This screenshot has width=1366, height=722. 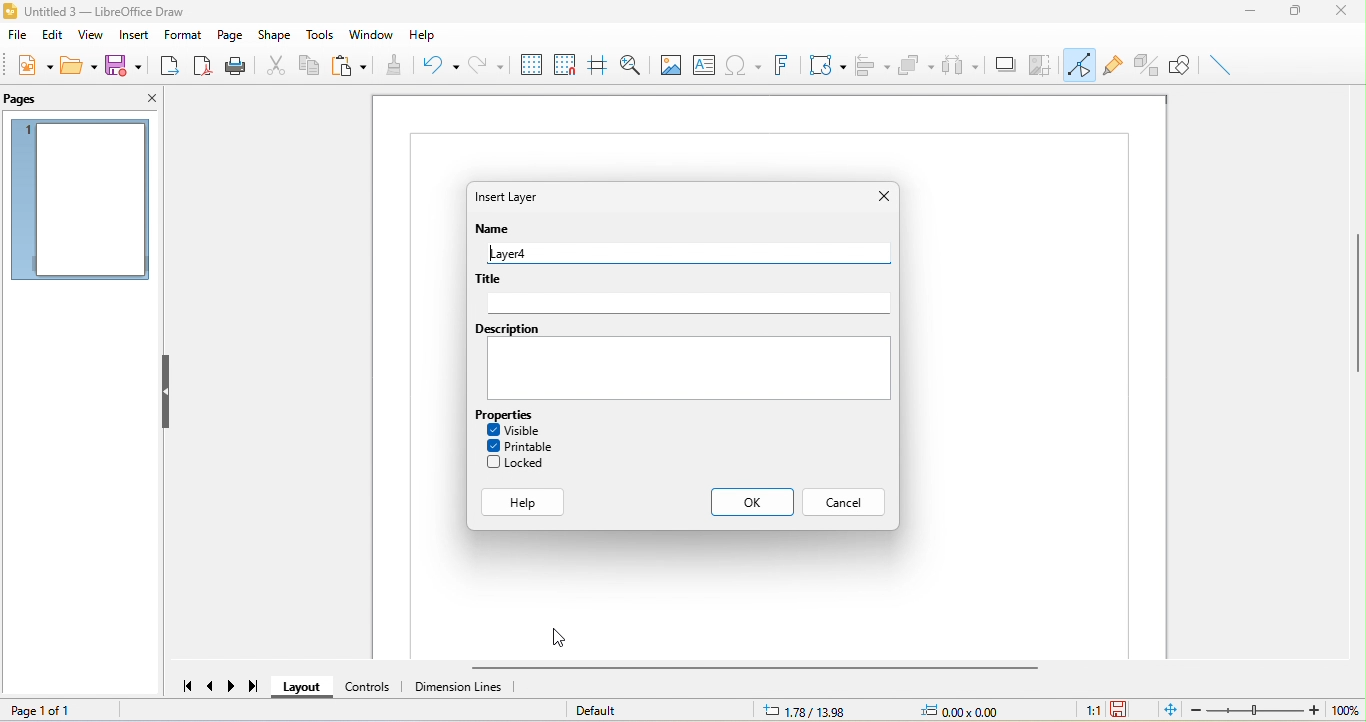 What do you see at coordinates (276, 65) in the screenshot?
I see `cut` at bounding box center [276, 65].